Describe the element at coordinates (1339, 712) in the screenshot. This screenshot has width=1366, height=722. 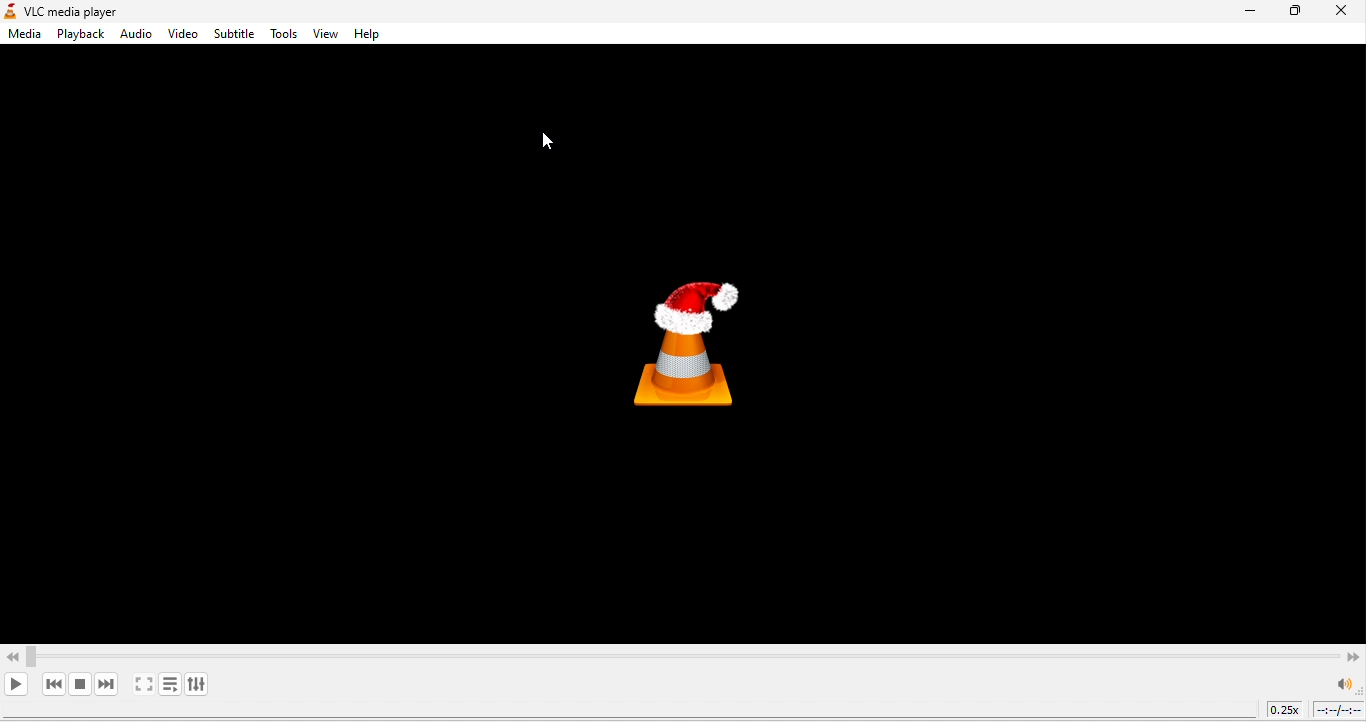
I see `timeline` at that location.